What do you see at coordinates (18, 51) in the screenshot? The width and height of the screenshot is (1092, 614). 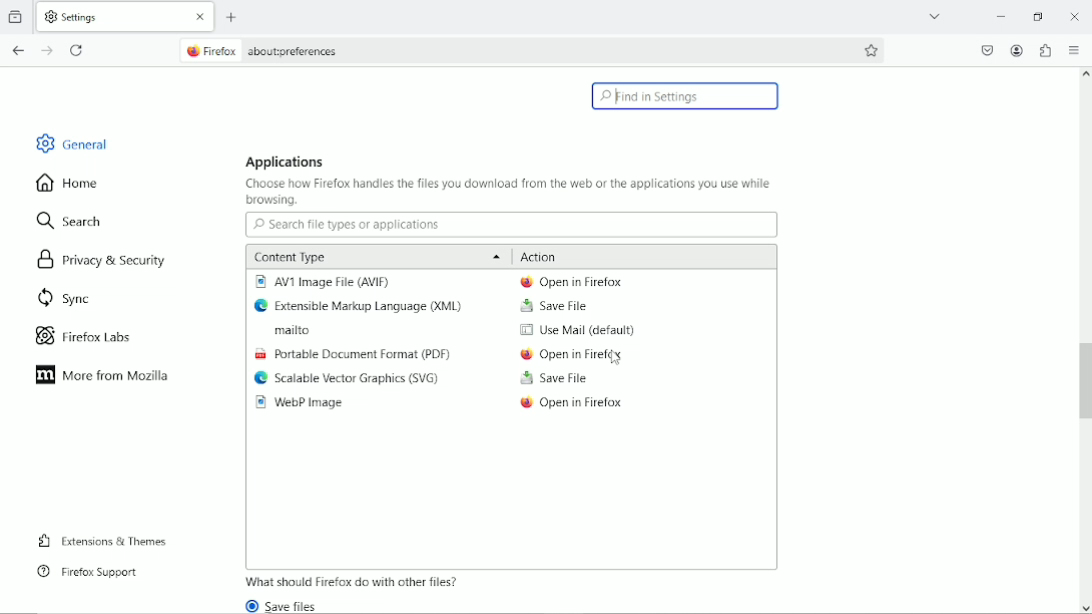 I see `Go back` at bounding box center [18, 51].